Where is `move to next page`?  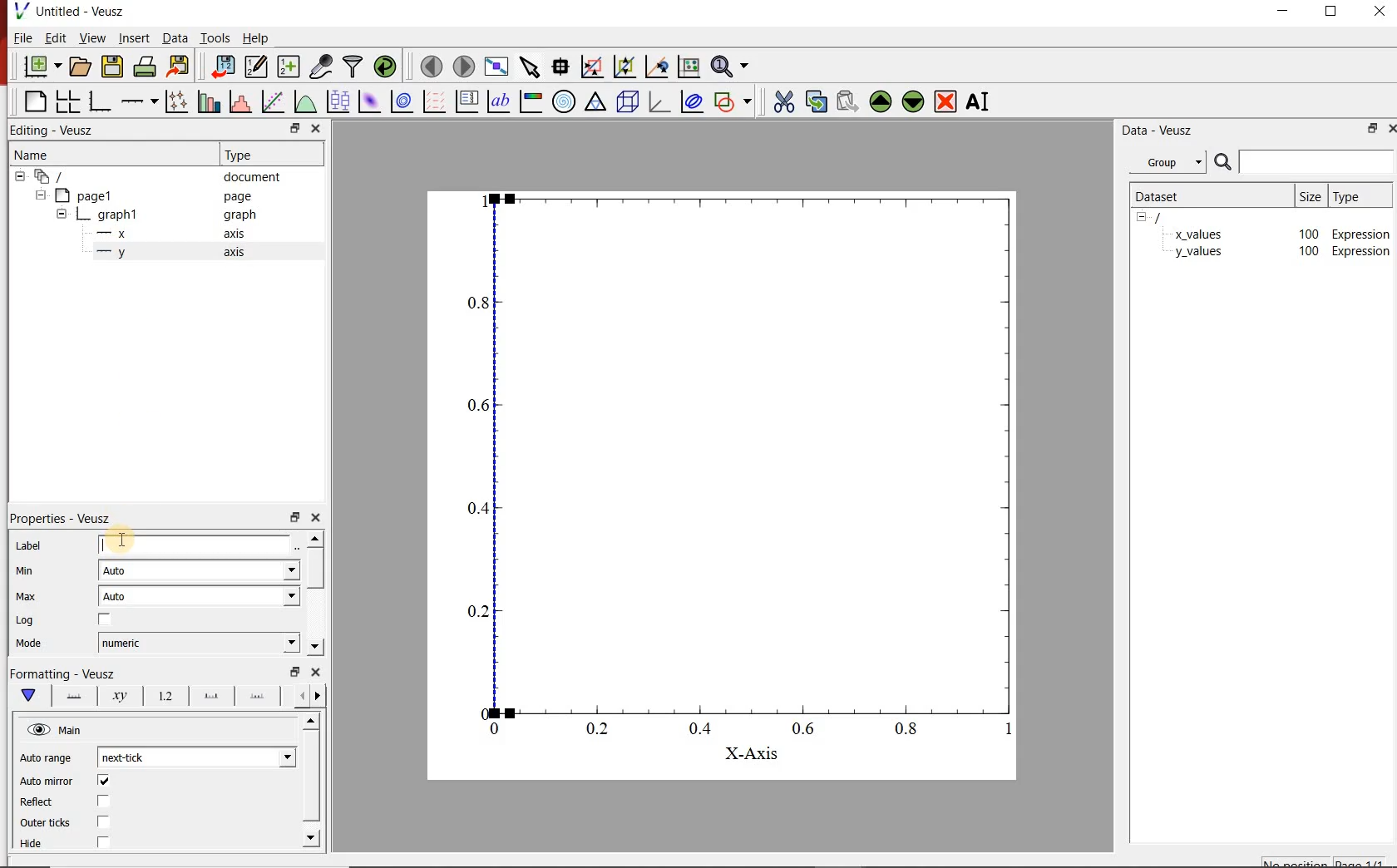 move to next page is located at coordinates (465, 67).